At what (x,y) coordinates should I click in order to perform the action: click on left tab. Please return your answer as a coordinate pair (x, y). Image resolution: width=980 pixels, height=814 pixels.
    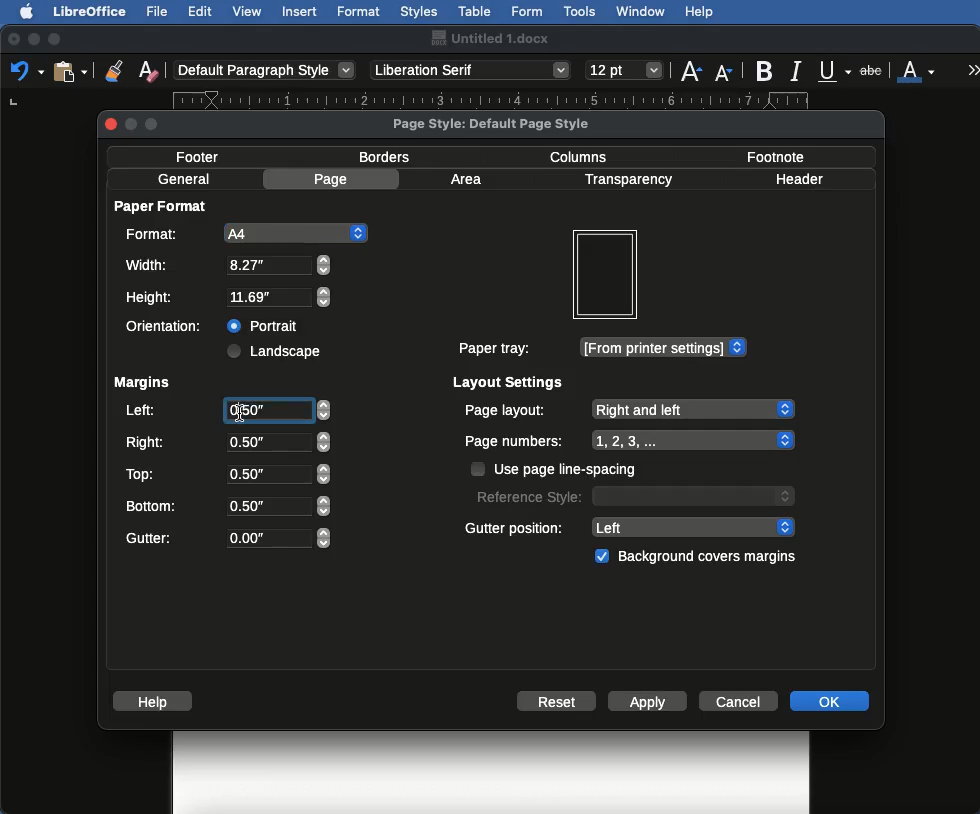
    Looking at the image, I should click on (14, 105).